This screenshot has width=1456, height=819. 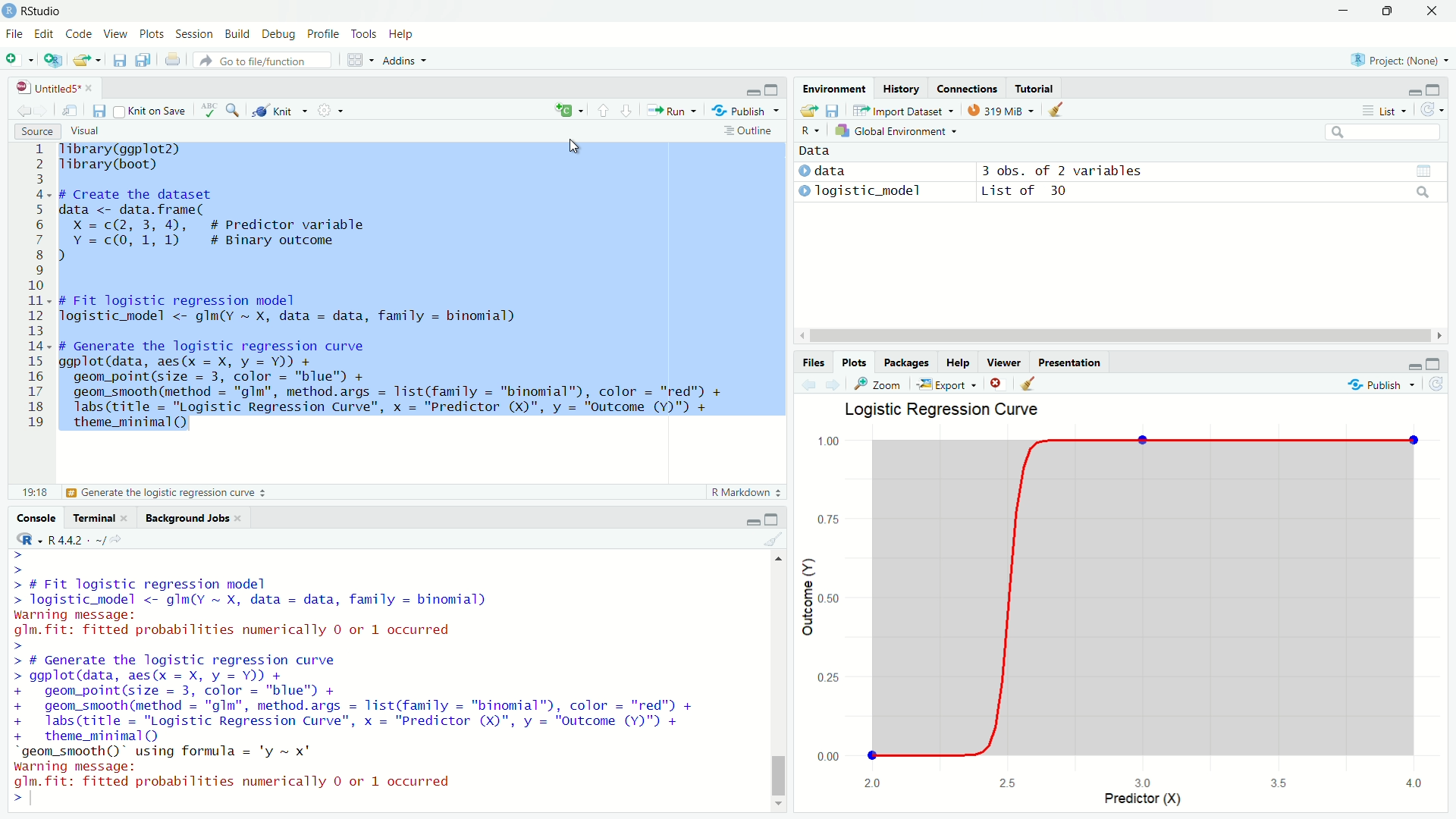 I want to click on Remove current plot, so click(x=999, y=383).